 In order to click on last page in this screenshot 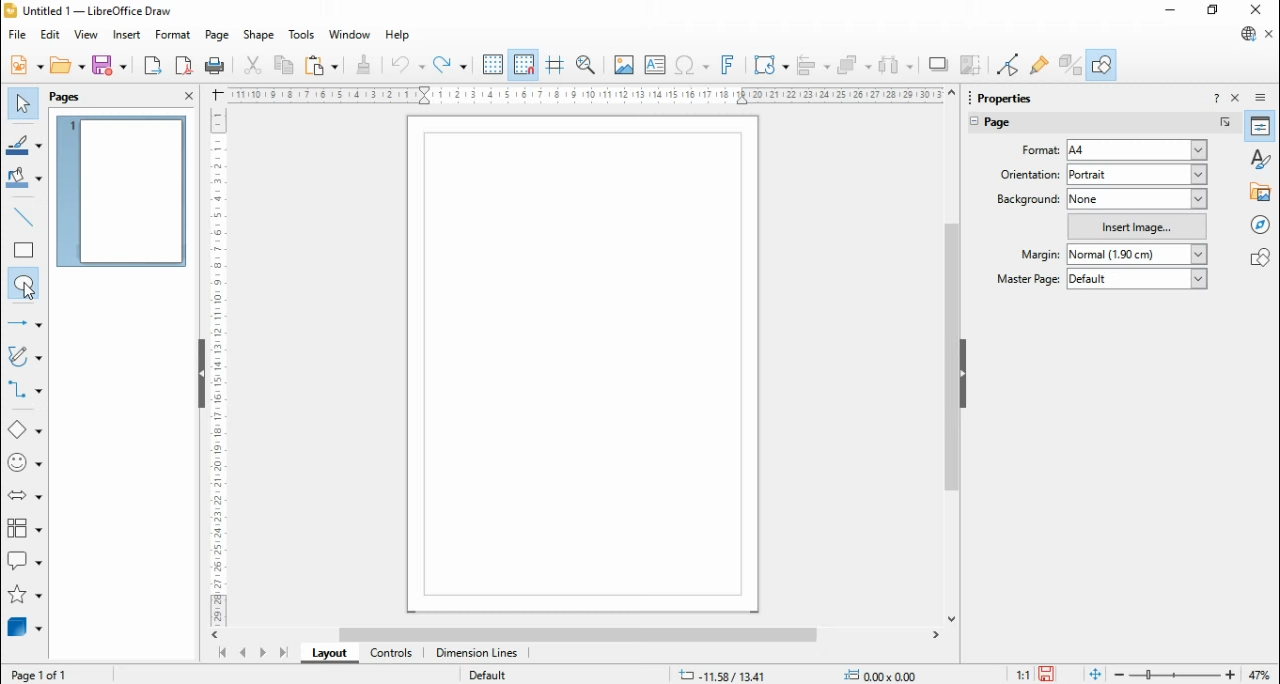, I will do `click(283, 653)`.